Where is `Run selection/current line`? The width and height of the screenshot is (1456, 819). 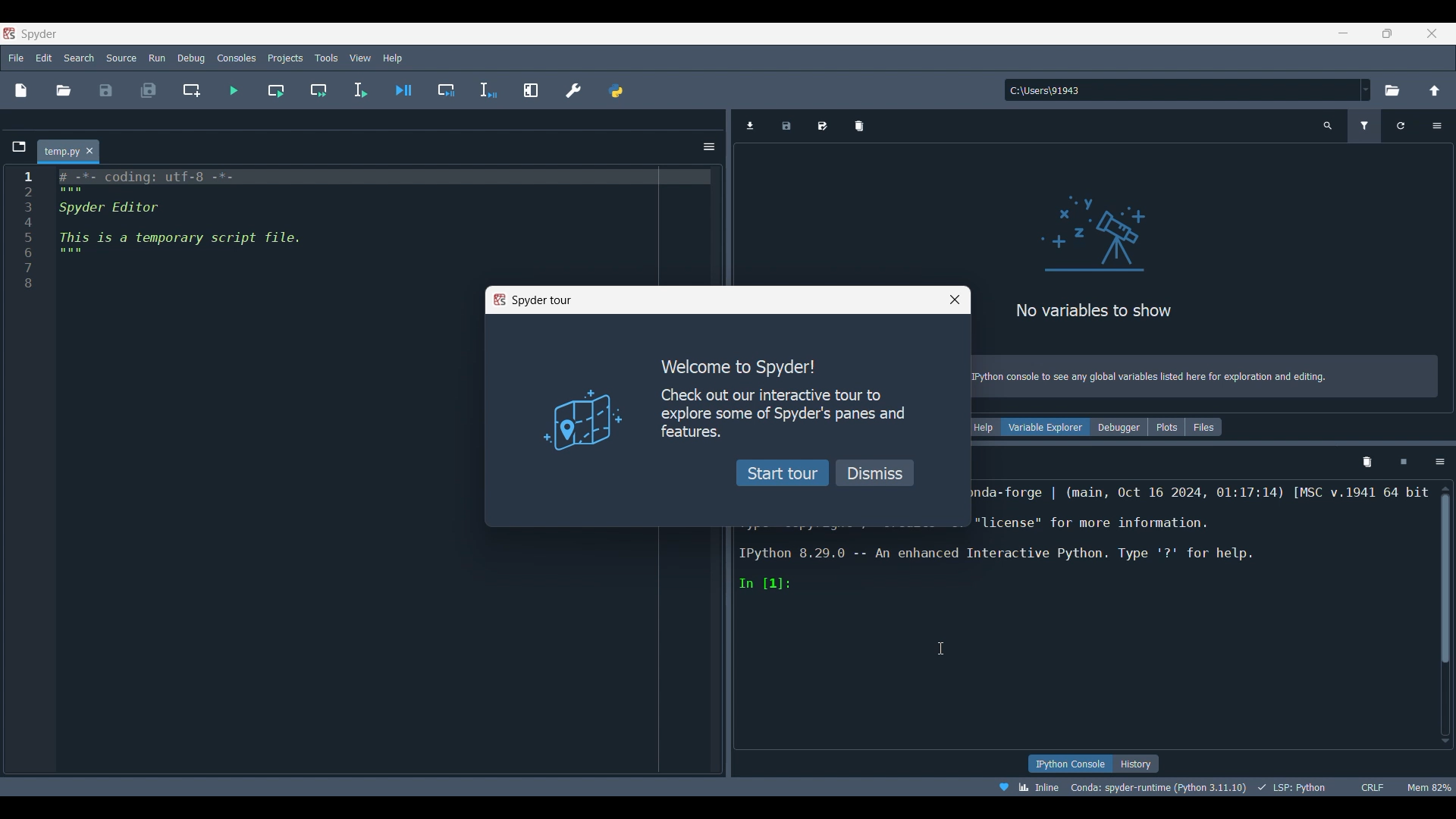
Run selection/current line is located at coordinates (360, 91).